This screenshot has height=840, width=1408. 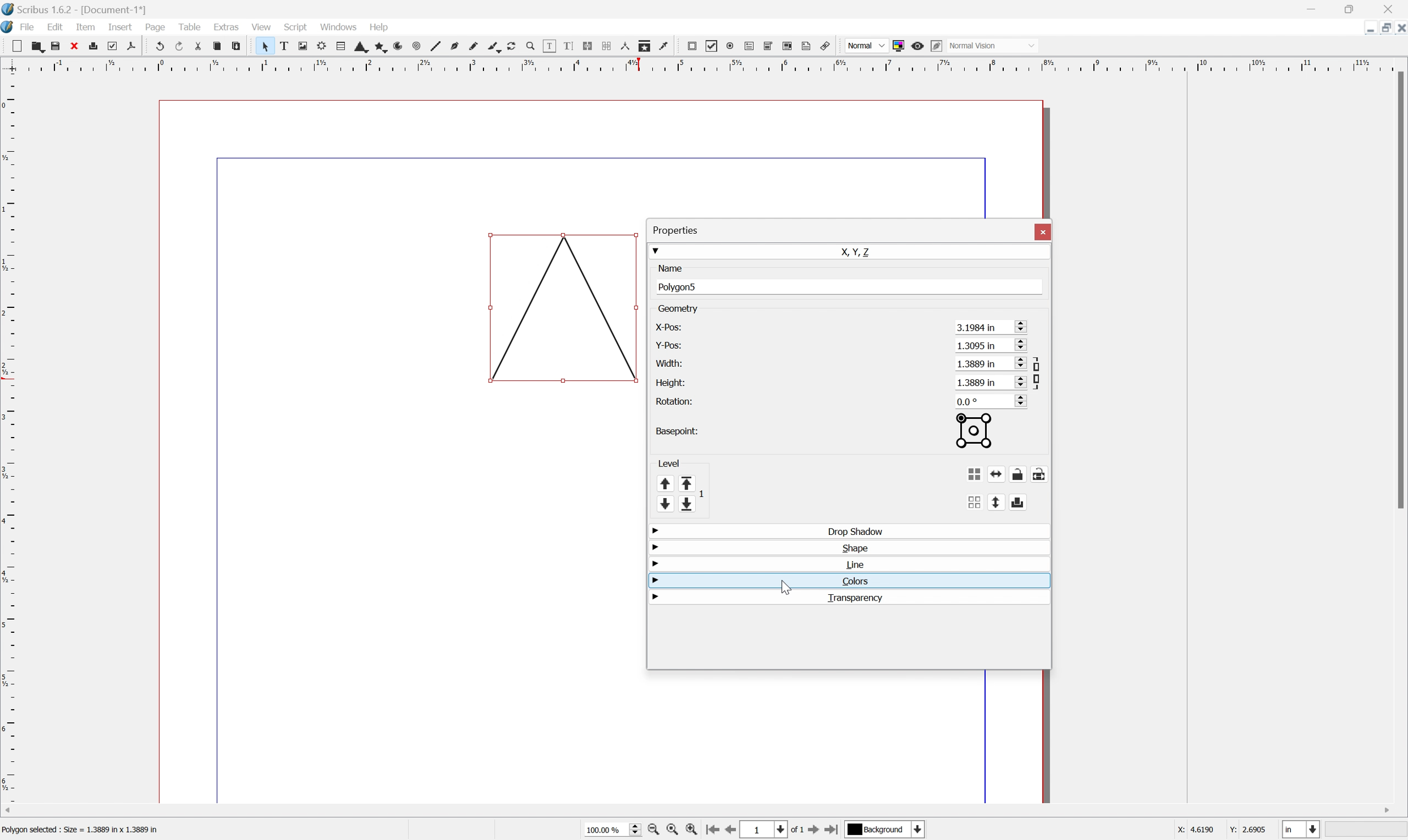 What do you see at coordinates (653, 547) in the screenshot?
I see `Drop Down` at bounding box center [653, 547].